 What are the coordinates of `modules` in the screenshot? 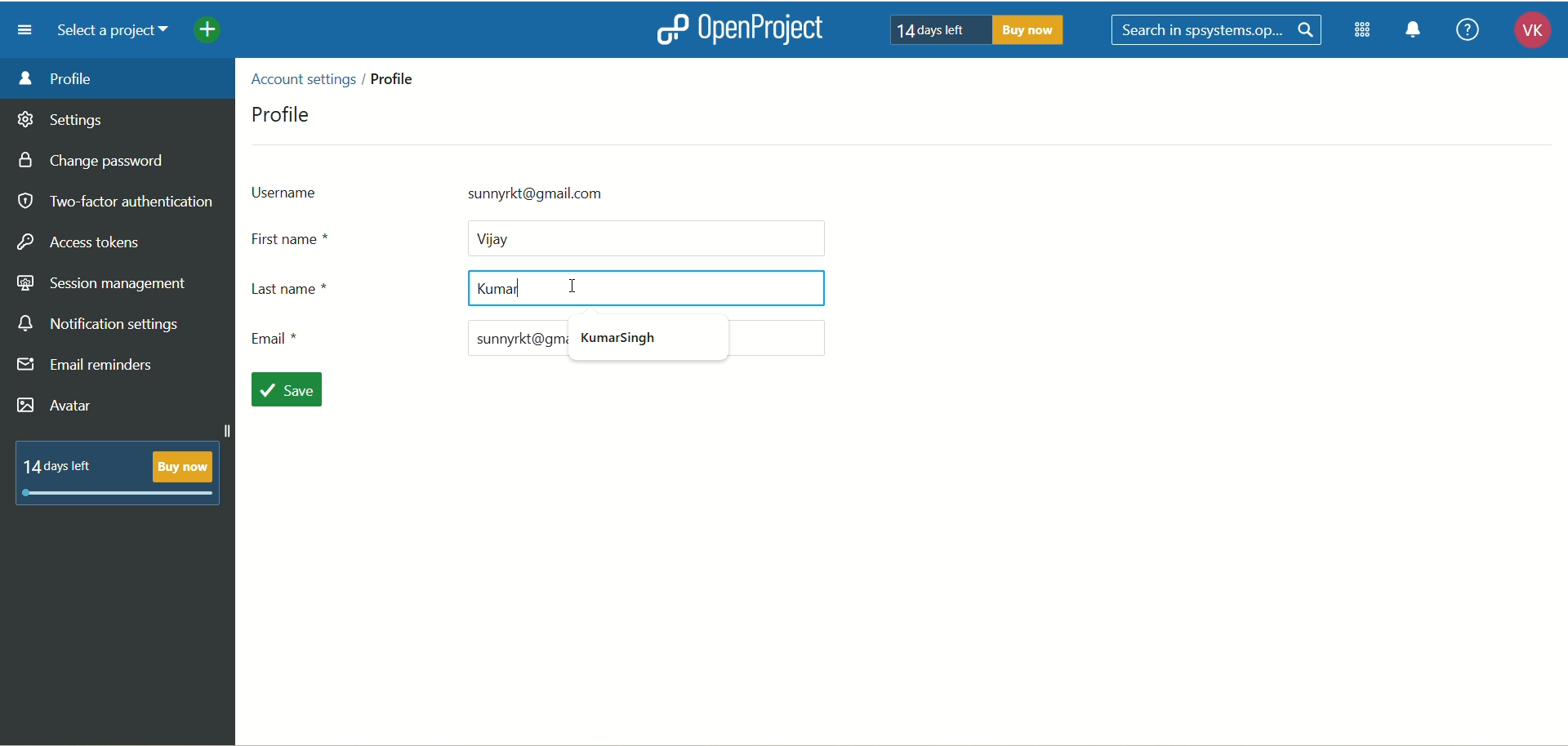 It's located at (1364, 33).